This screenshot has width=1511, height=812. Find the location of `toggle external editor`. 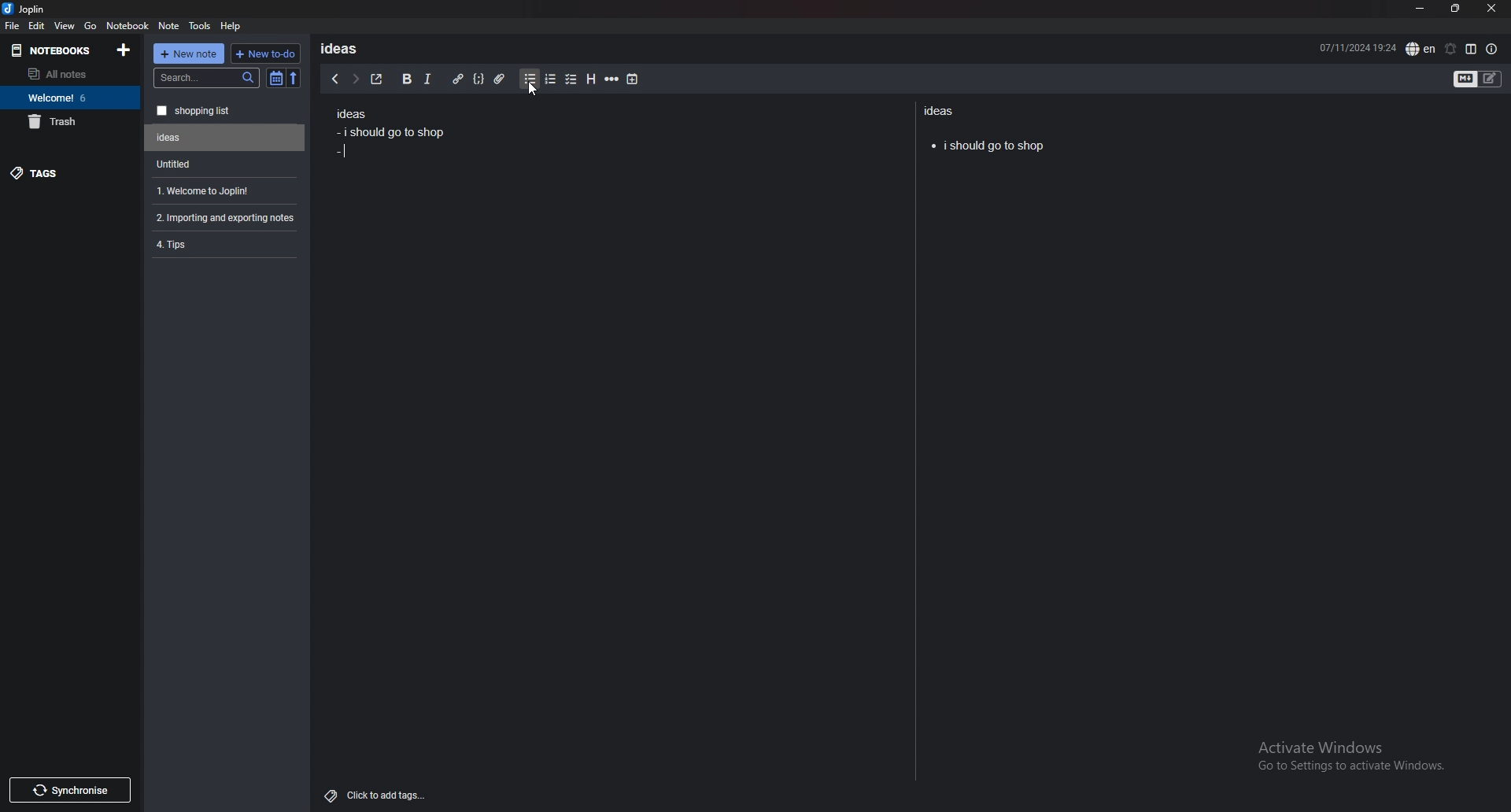

toggle external editor is located at coordinates (377, 79).